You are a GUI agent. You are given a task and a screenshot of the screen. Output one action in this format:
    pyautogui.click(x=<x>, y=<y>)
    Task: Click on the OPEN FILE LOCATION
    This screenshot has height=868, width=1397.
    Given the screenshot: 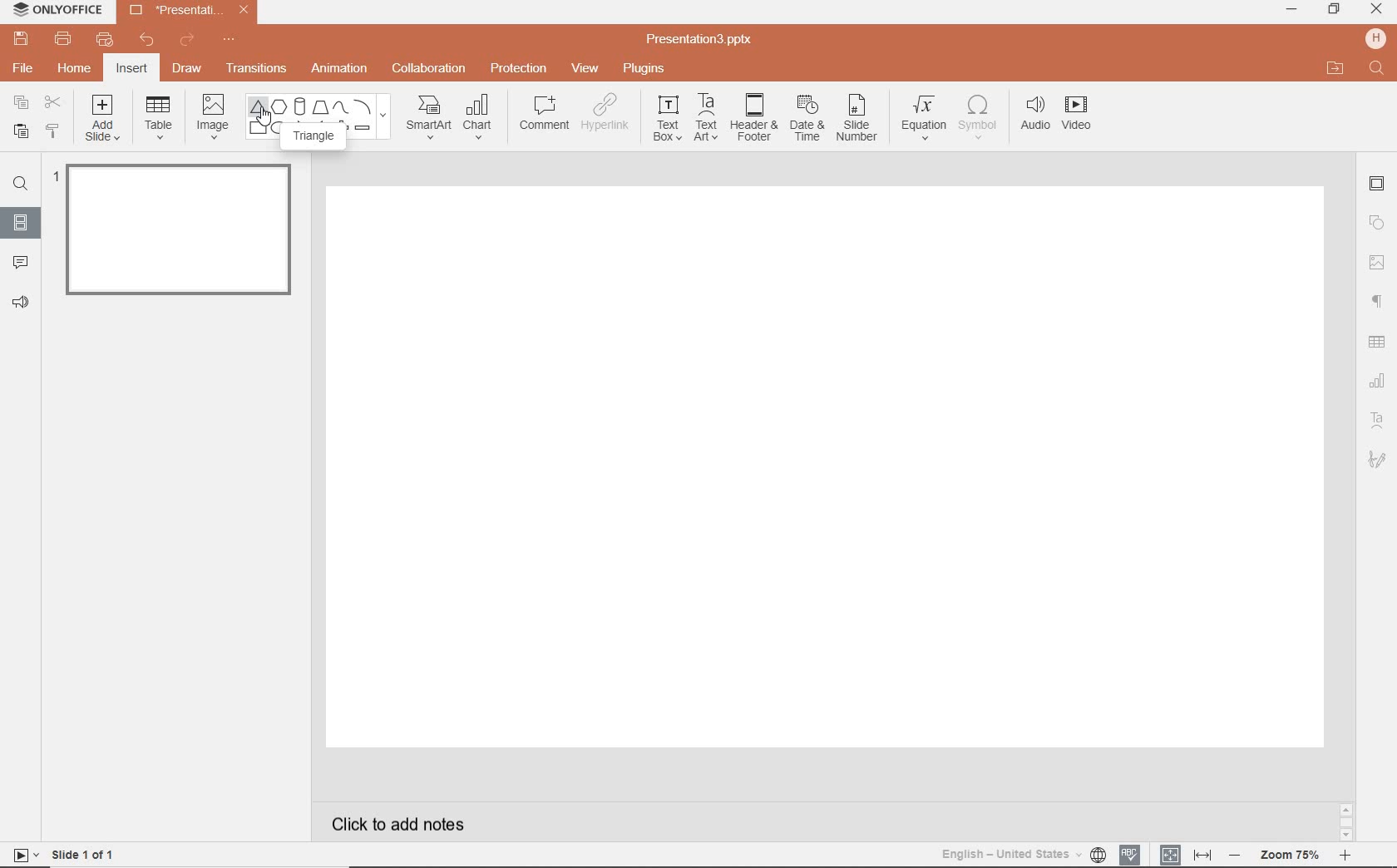 What is the action you would take?
    pyautogui.click(x=1335, y=68)
    